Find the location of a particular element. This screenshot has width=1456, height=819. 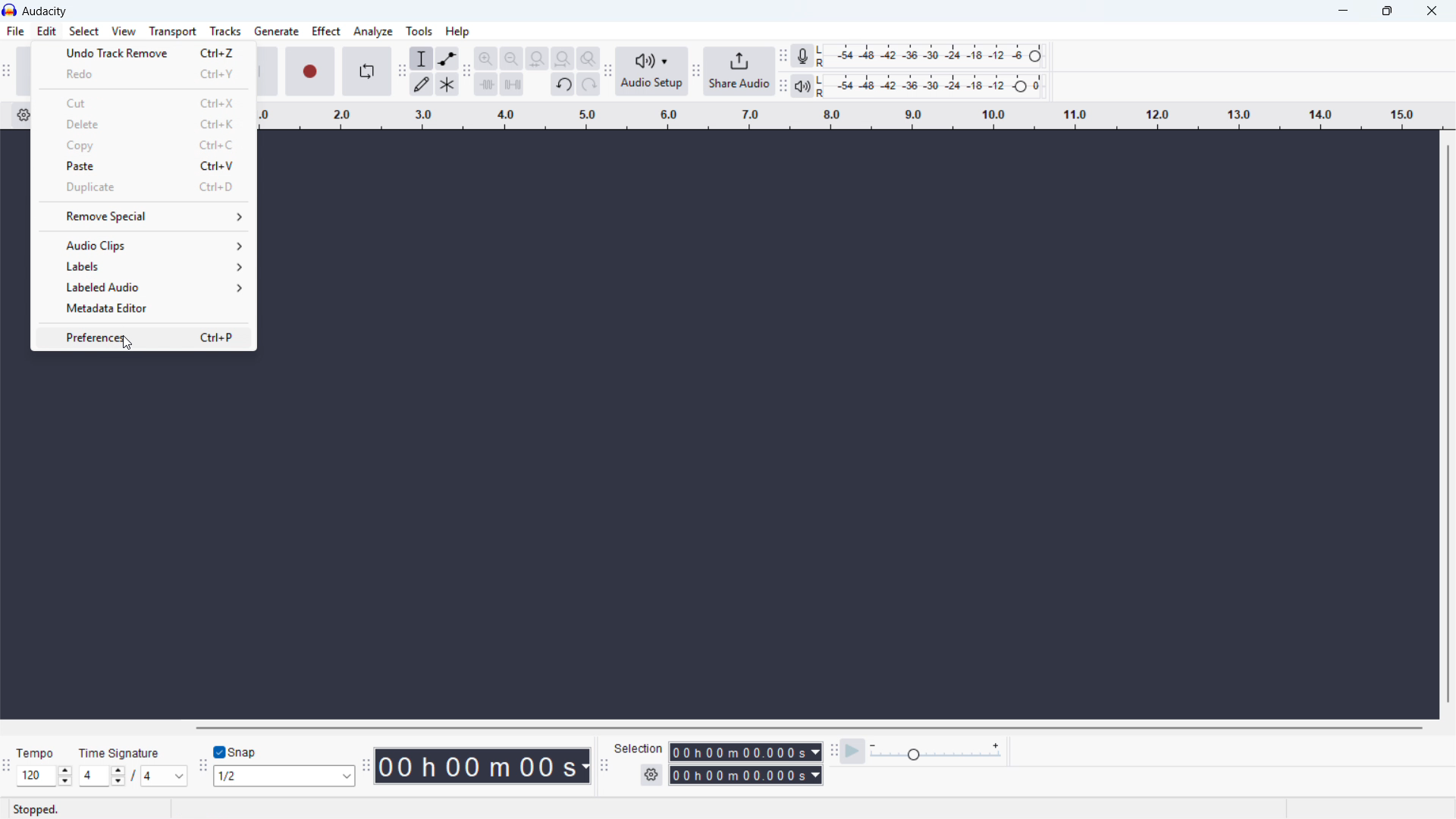

audio setup toolbar is located at coordinates (608, 73).